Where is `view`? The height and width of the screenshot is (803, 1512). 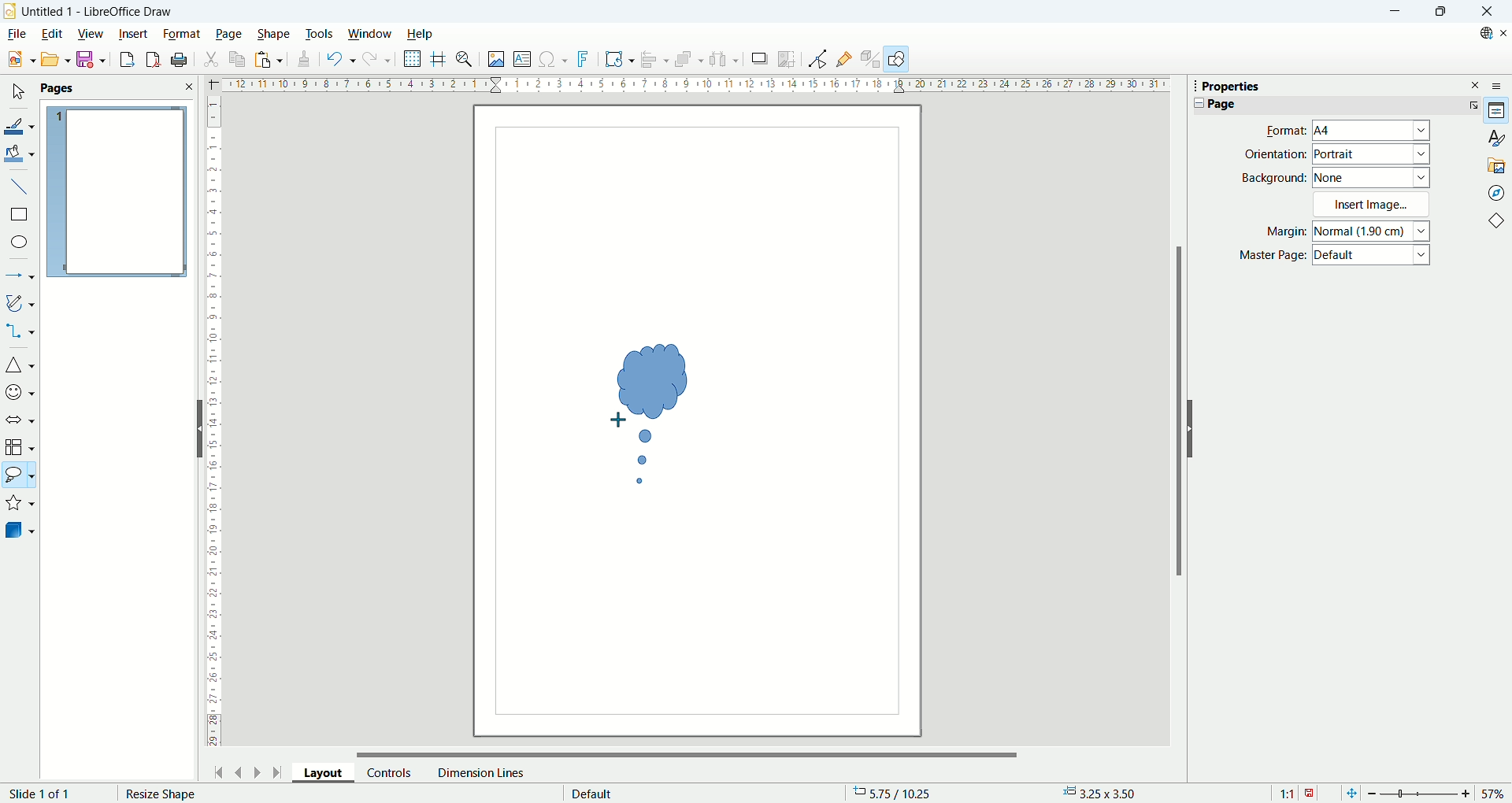 view is located at coordinates (91, 32).